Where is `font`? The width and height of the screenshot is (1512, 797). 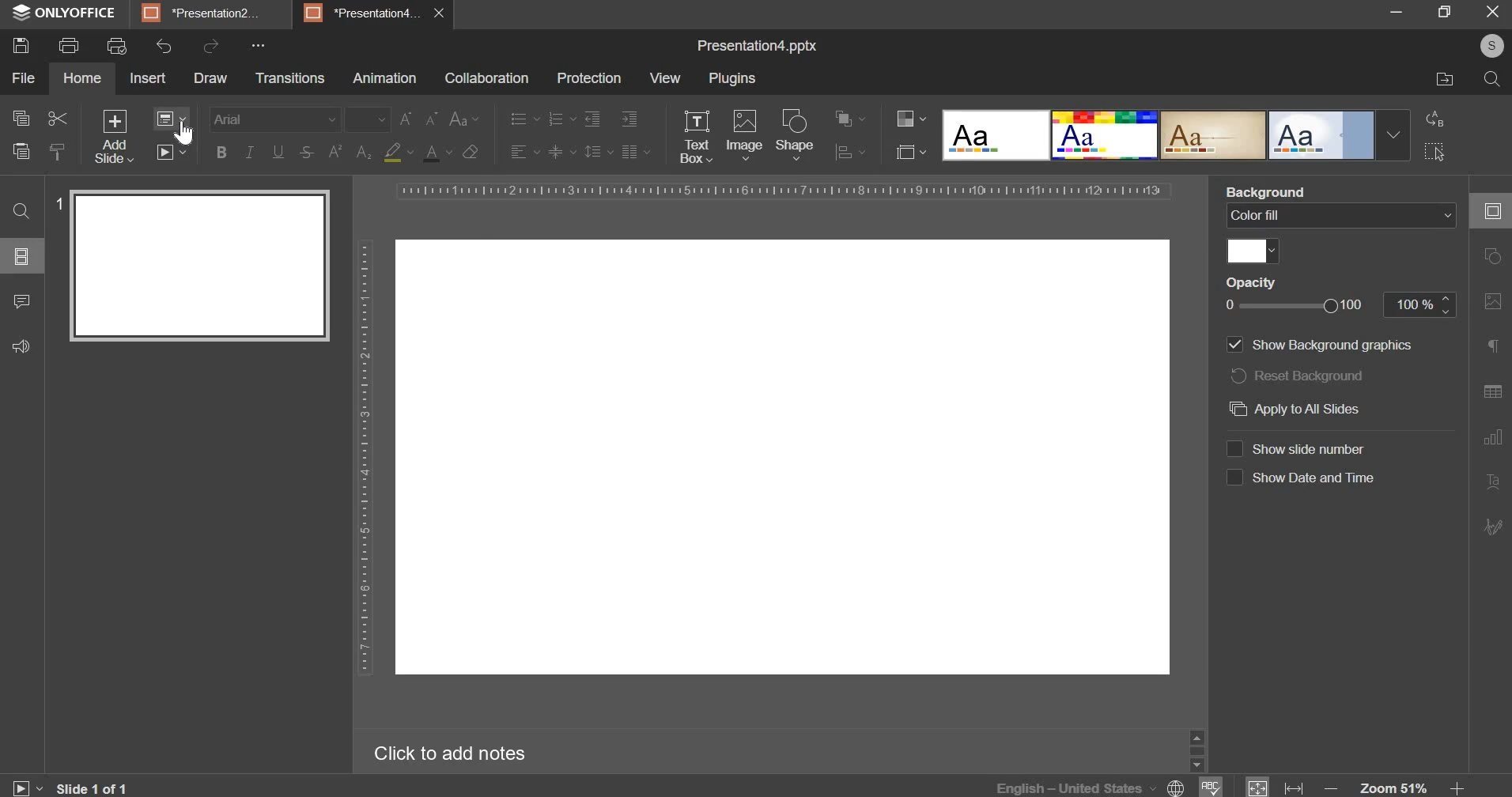
font is located at coordinates (275, 116).